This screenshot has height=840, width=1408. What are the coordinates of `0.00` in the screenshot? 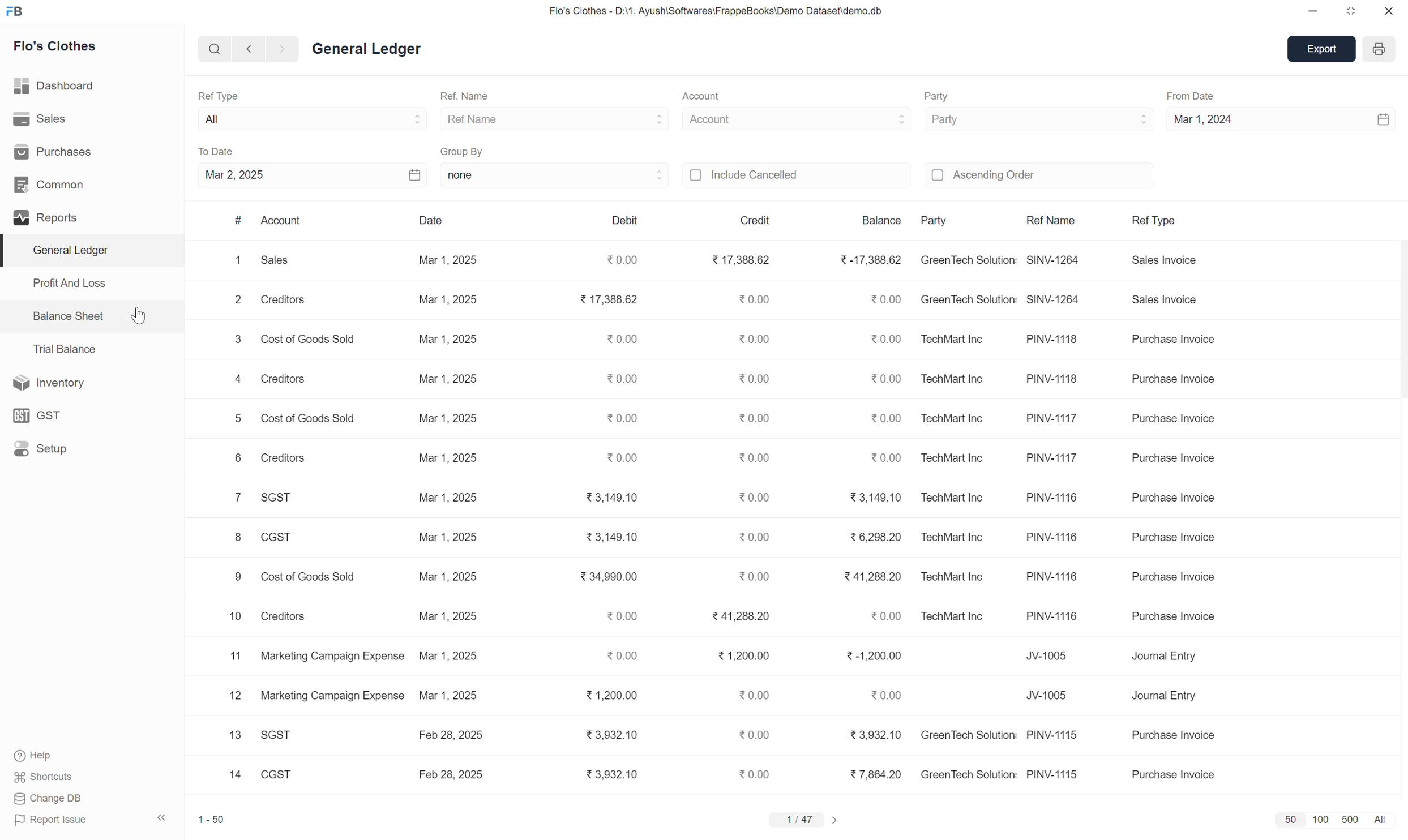 It's located at (748, 338).